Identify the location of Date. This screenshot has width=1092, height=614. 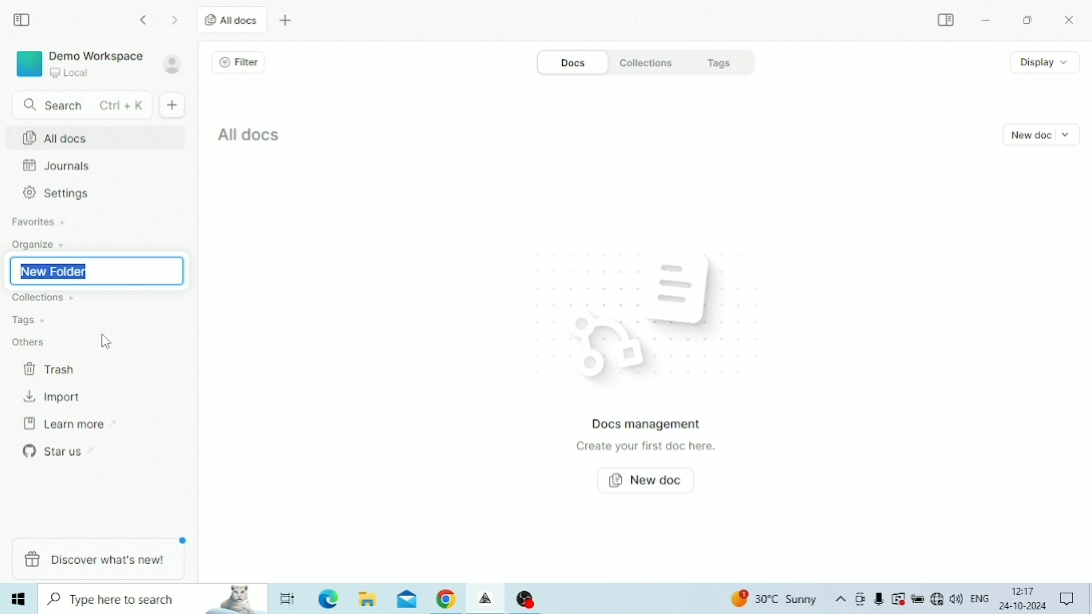
(1022, 606).